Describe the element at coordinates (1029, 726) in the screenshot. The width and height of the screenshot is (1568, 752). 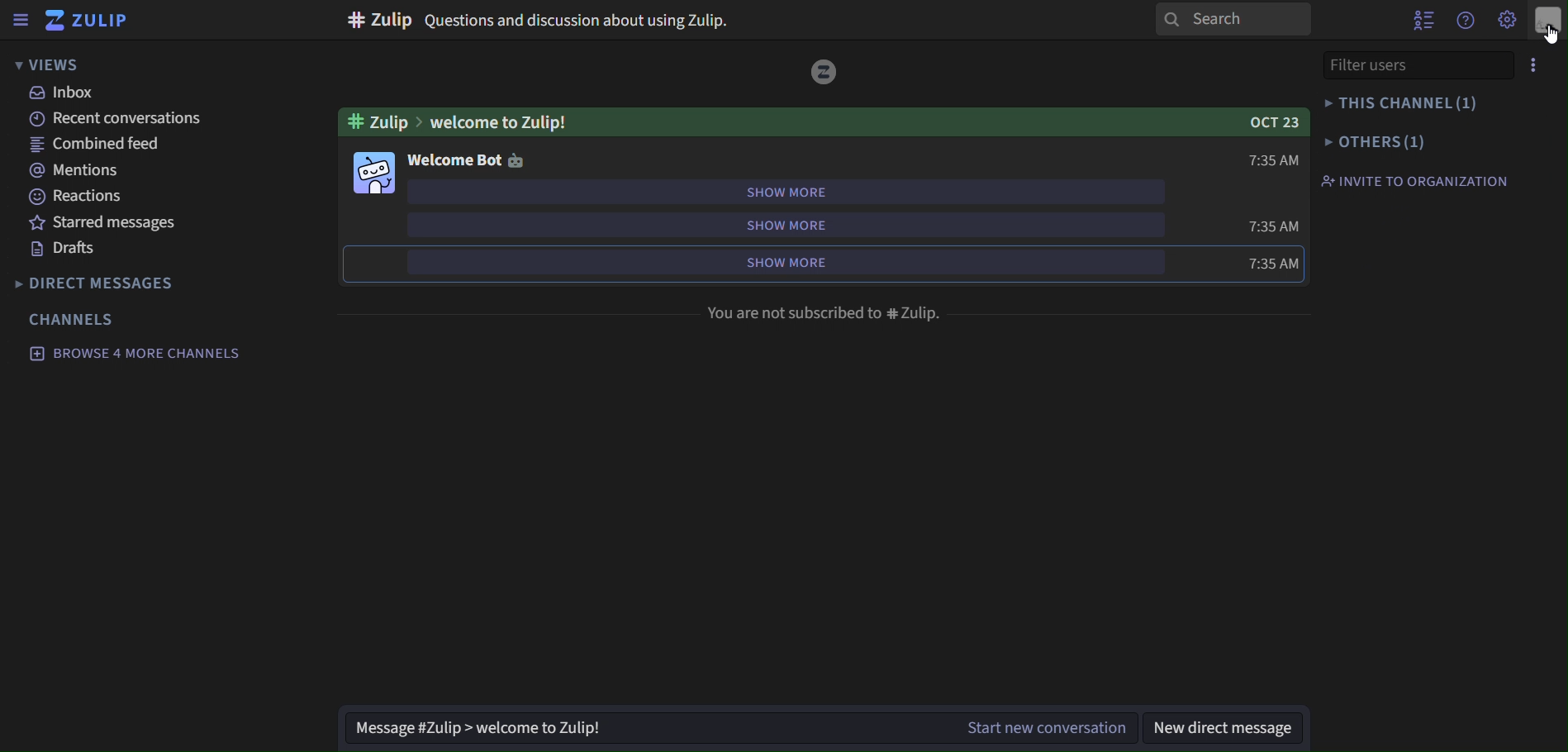
I see `Start new conversation` at that location.